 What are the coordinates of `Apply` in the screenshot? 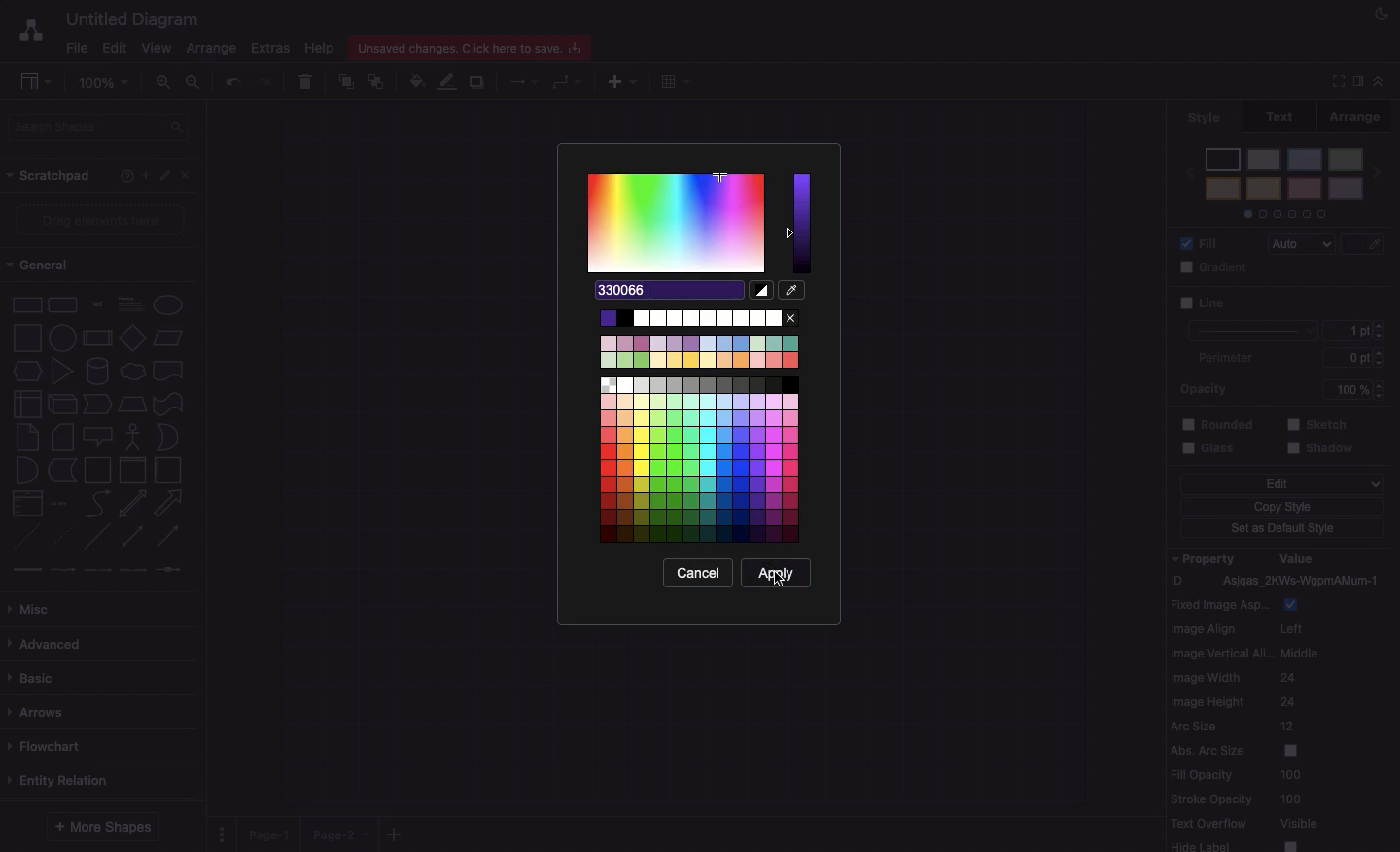 It's located at (777, 572).